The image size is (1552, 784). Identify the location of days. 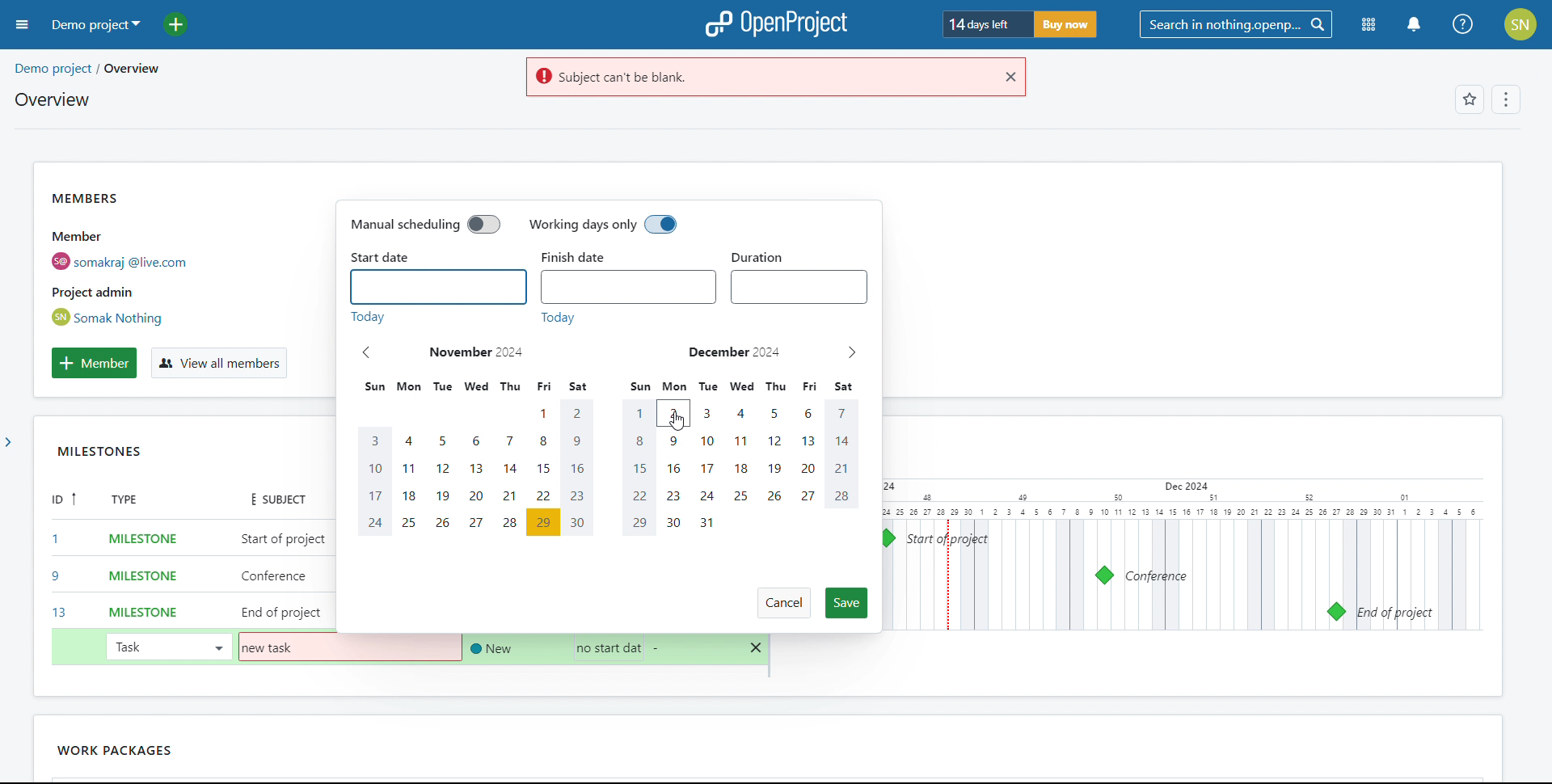
(606, 387).